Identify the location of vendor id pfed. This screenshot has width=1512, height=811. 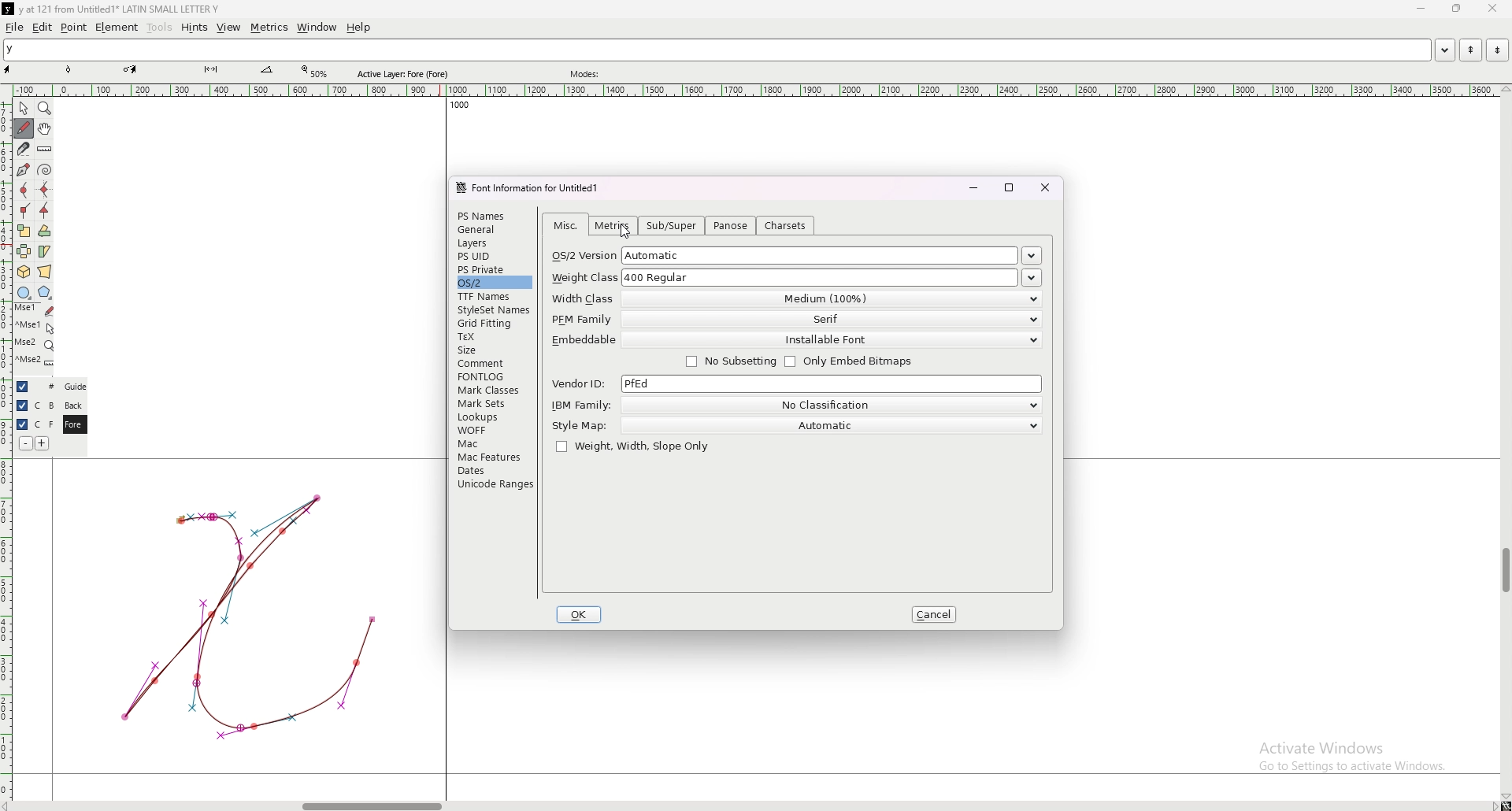
(797, 384).